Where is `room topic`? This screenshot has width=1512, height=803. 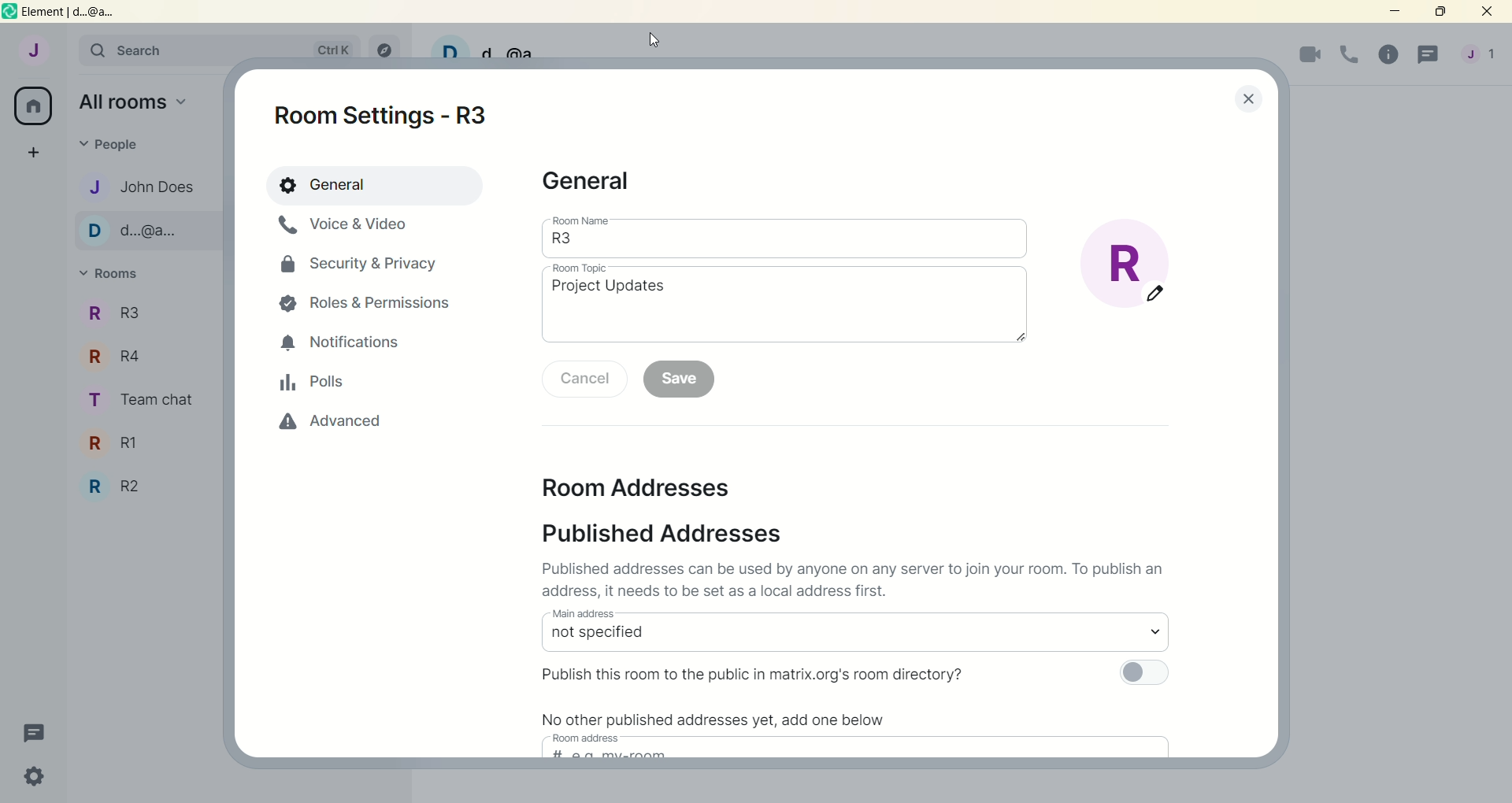 room topic is located at coordinates (787, 312).